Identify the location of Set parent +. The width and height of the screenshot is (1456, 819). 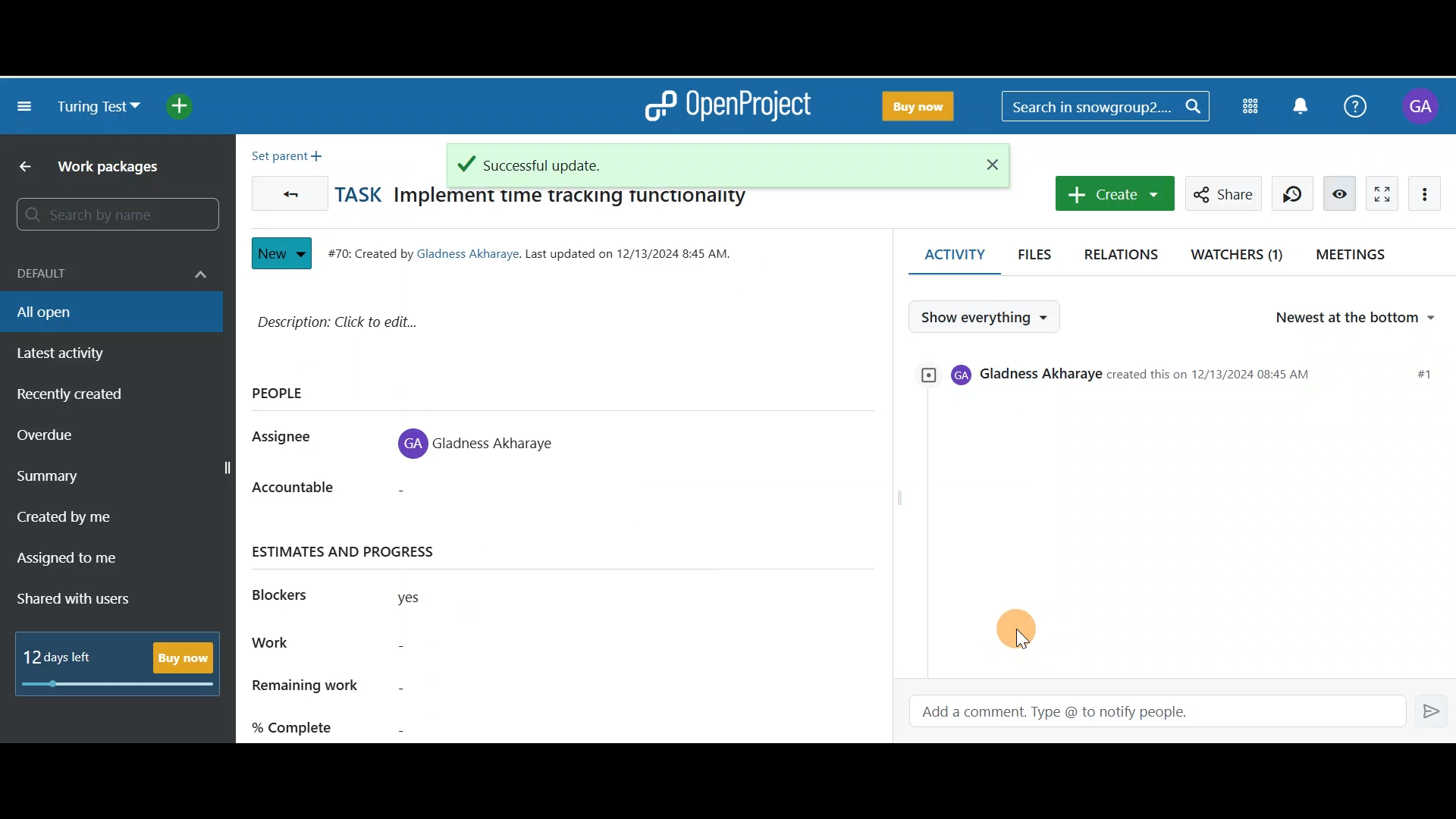
(291, 152).